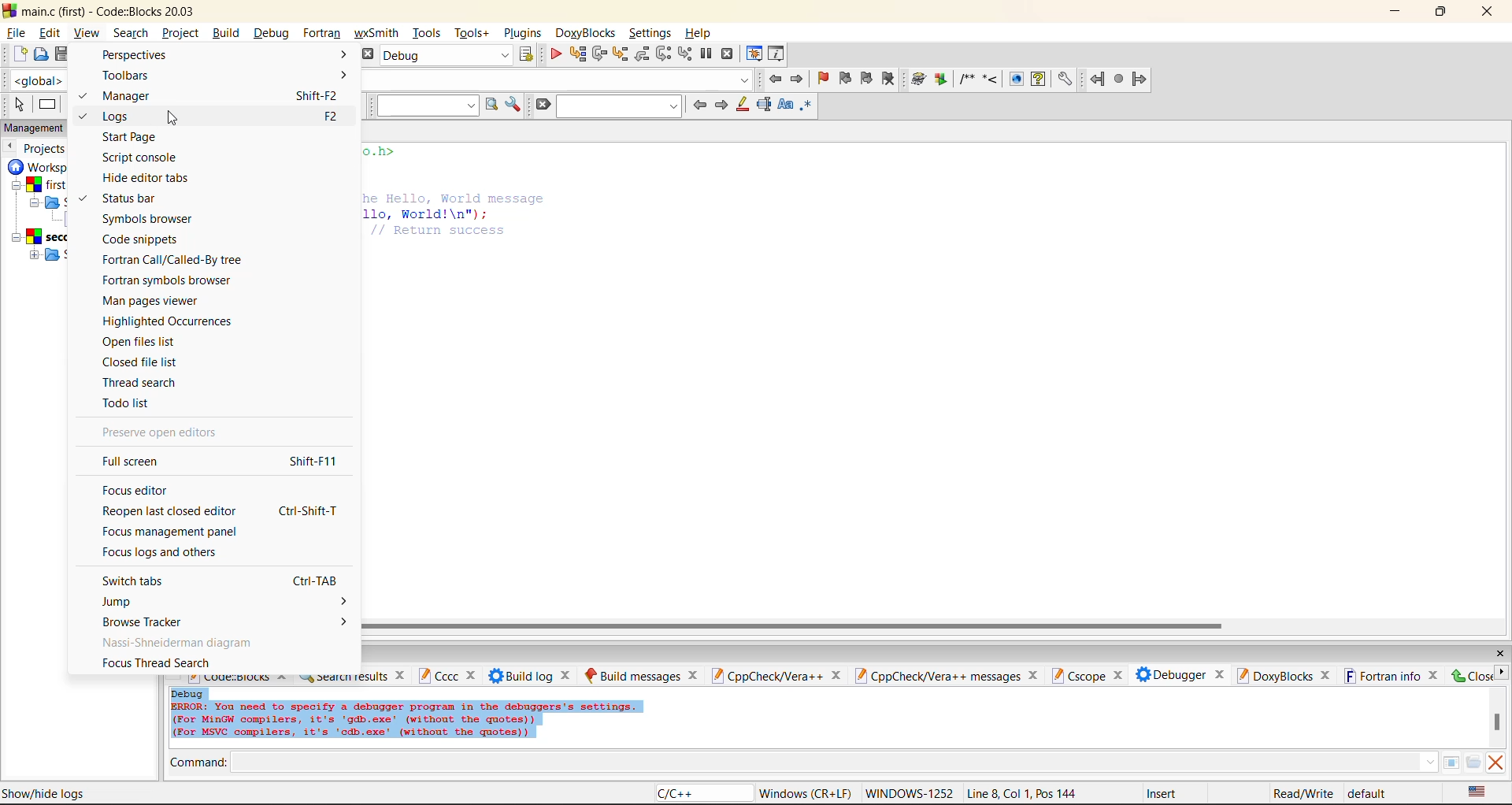  What do you see at coordinates (534, 675) in the screenshot?
I see `build log` at bounding box center [534, 675].